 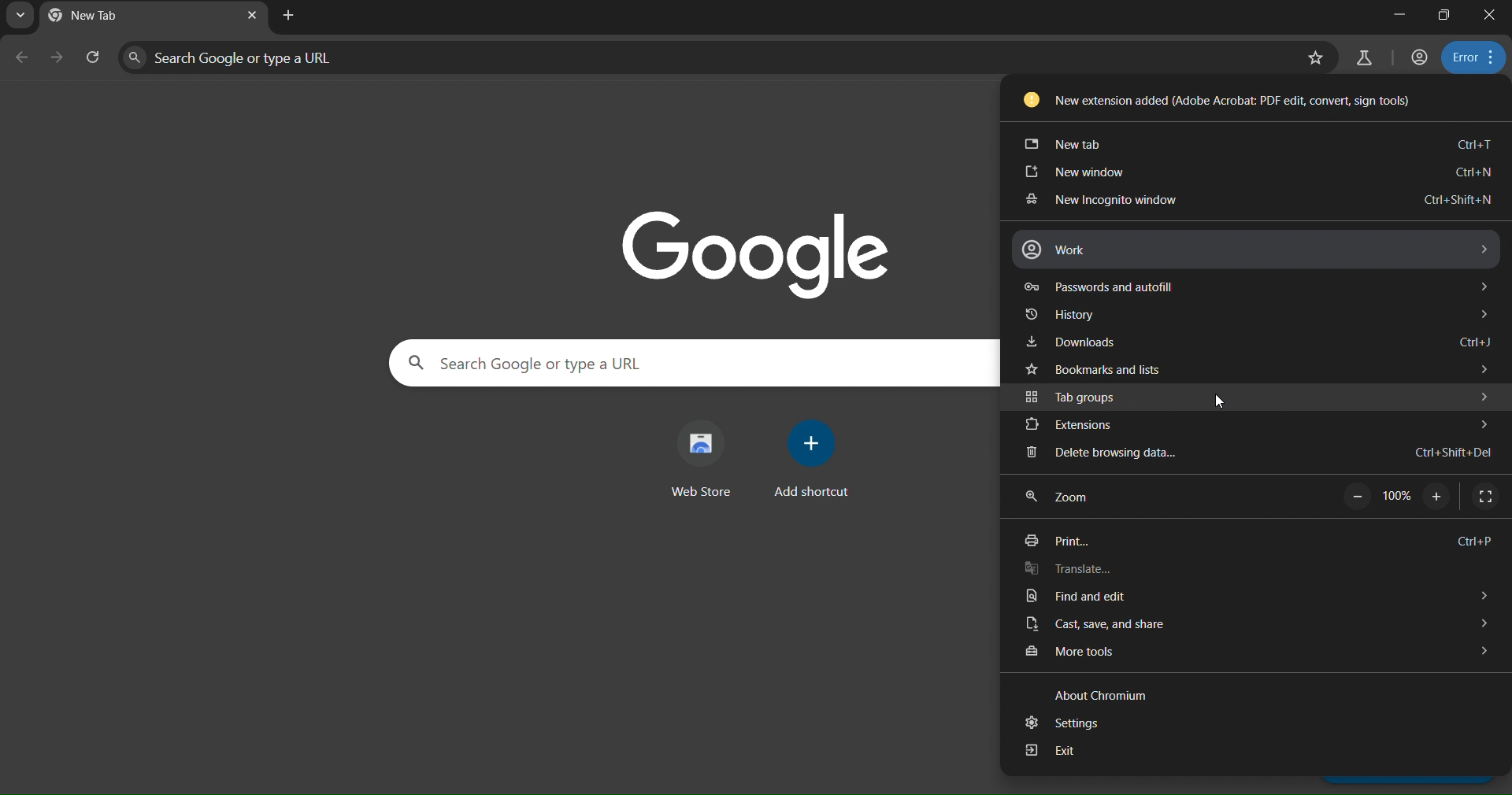 What do you see at coordinates (1257, 283) in the screenshot?
I see `passwords and autofill` at bounding box center [1257, 283].